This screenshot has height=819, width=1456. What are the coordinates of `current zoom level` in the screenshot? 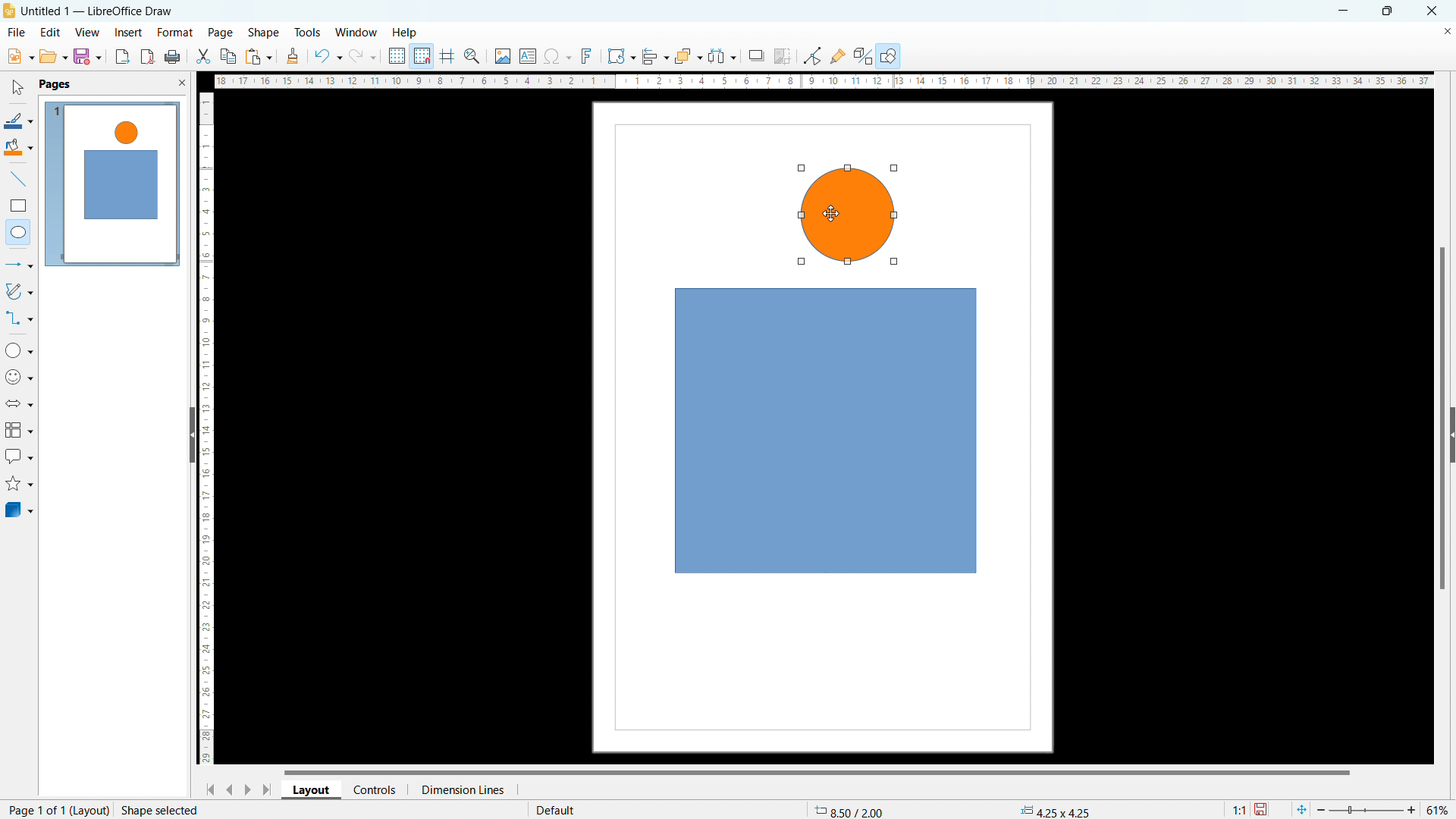 It's located at (1439, 810).